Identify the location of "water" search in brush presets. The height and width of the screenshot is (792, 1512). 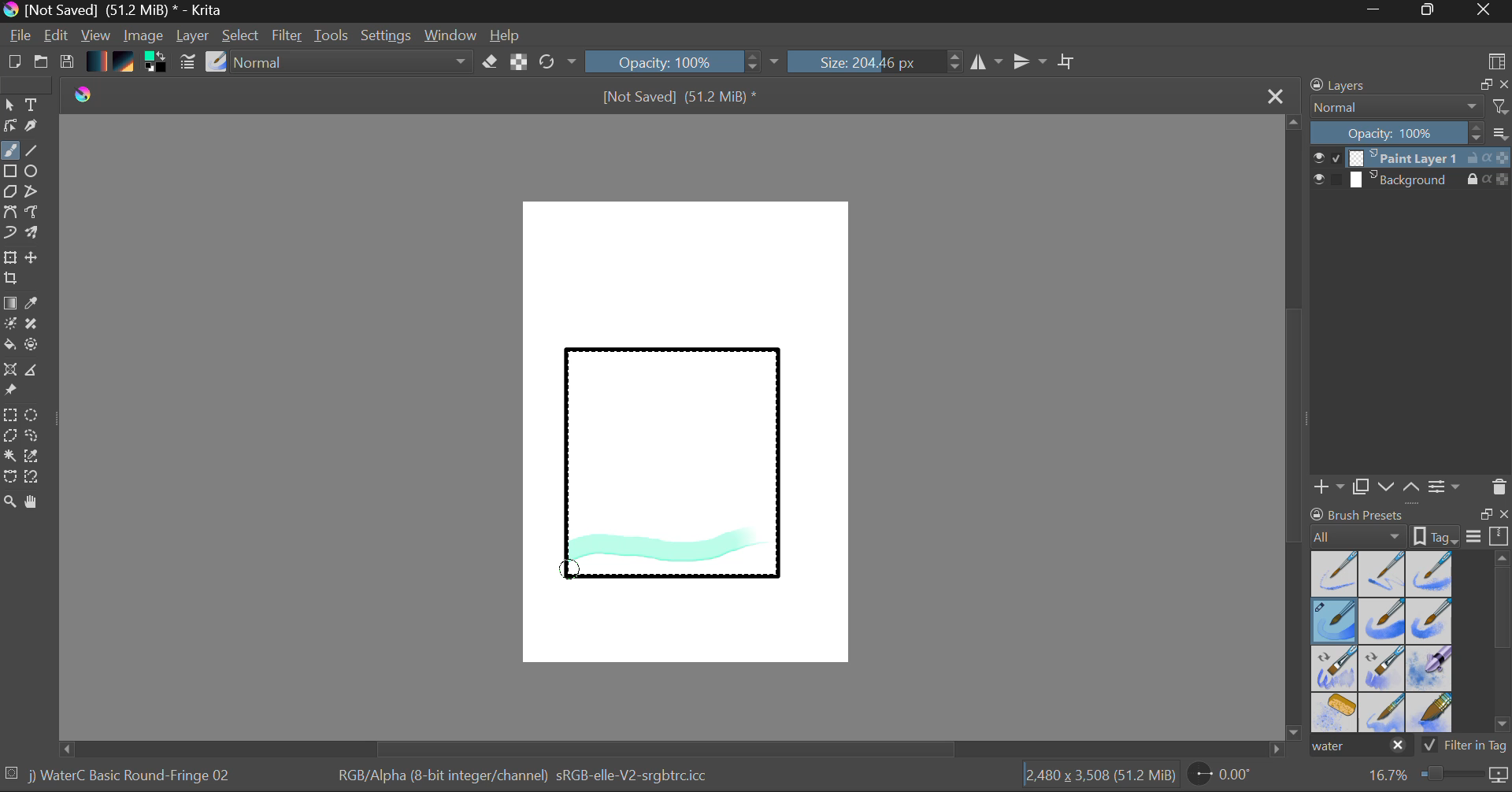
(1359, 749).